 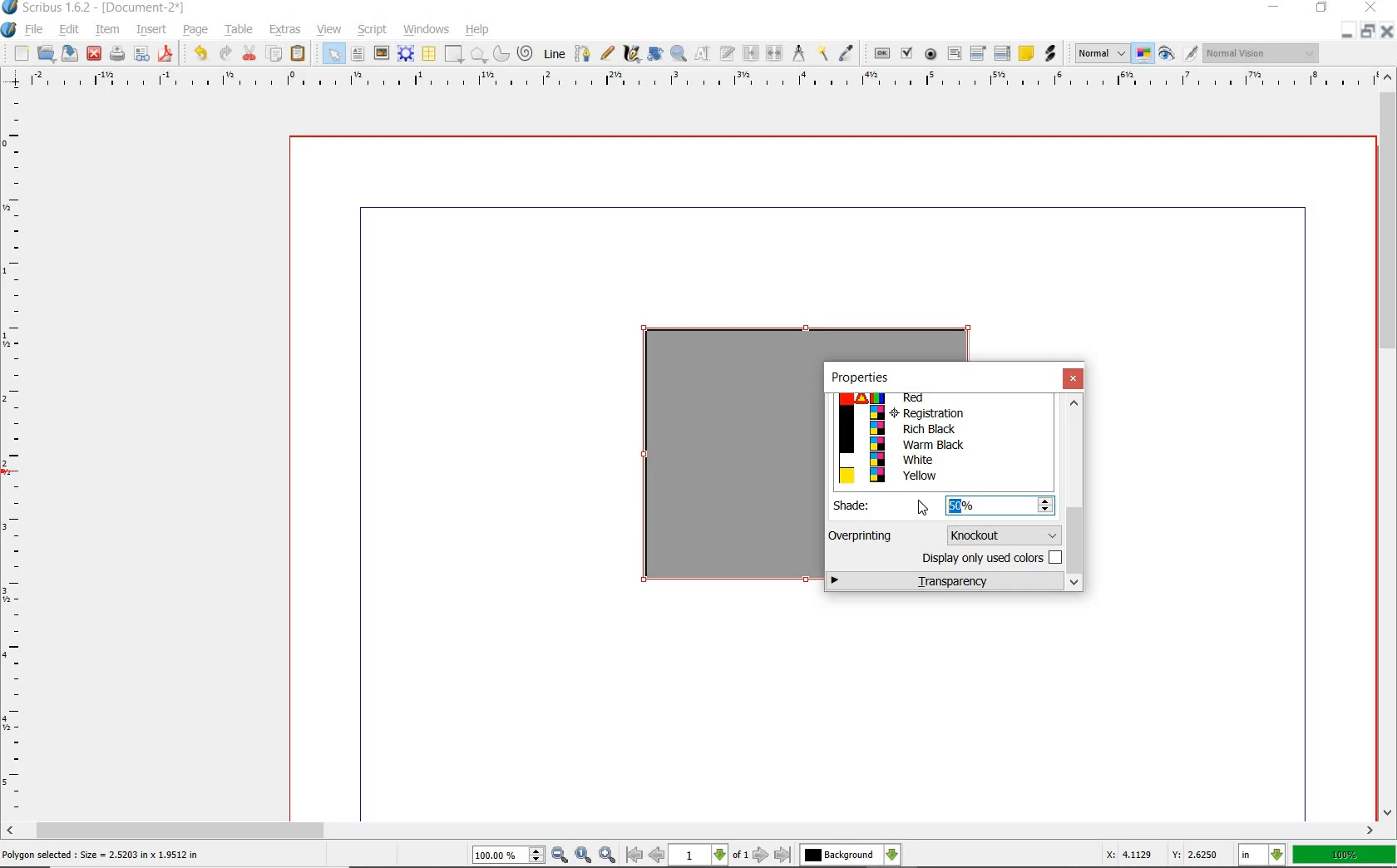 What do you see at coordinates (329, 54) in the screenshot?
I see `select item` at bounding box center [329, 54].